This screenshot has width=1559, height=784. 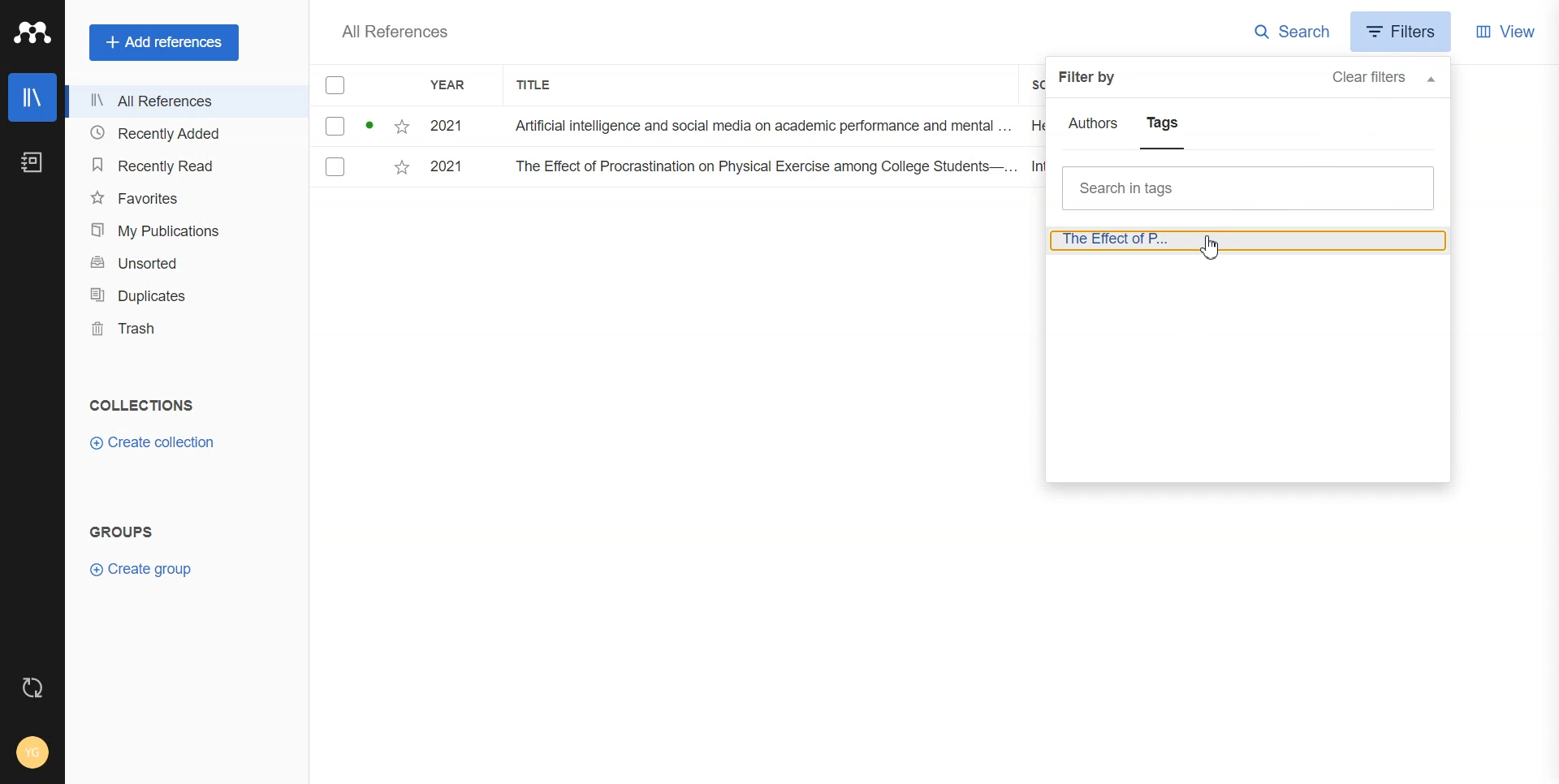 What do you see at coordinates (153, 442) in the screenshot?
I see `Create collection` at bounding box center [153, 442].